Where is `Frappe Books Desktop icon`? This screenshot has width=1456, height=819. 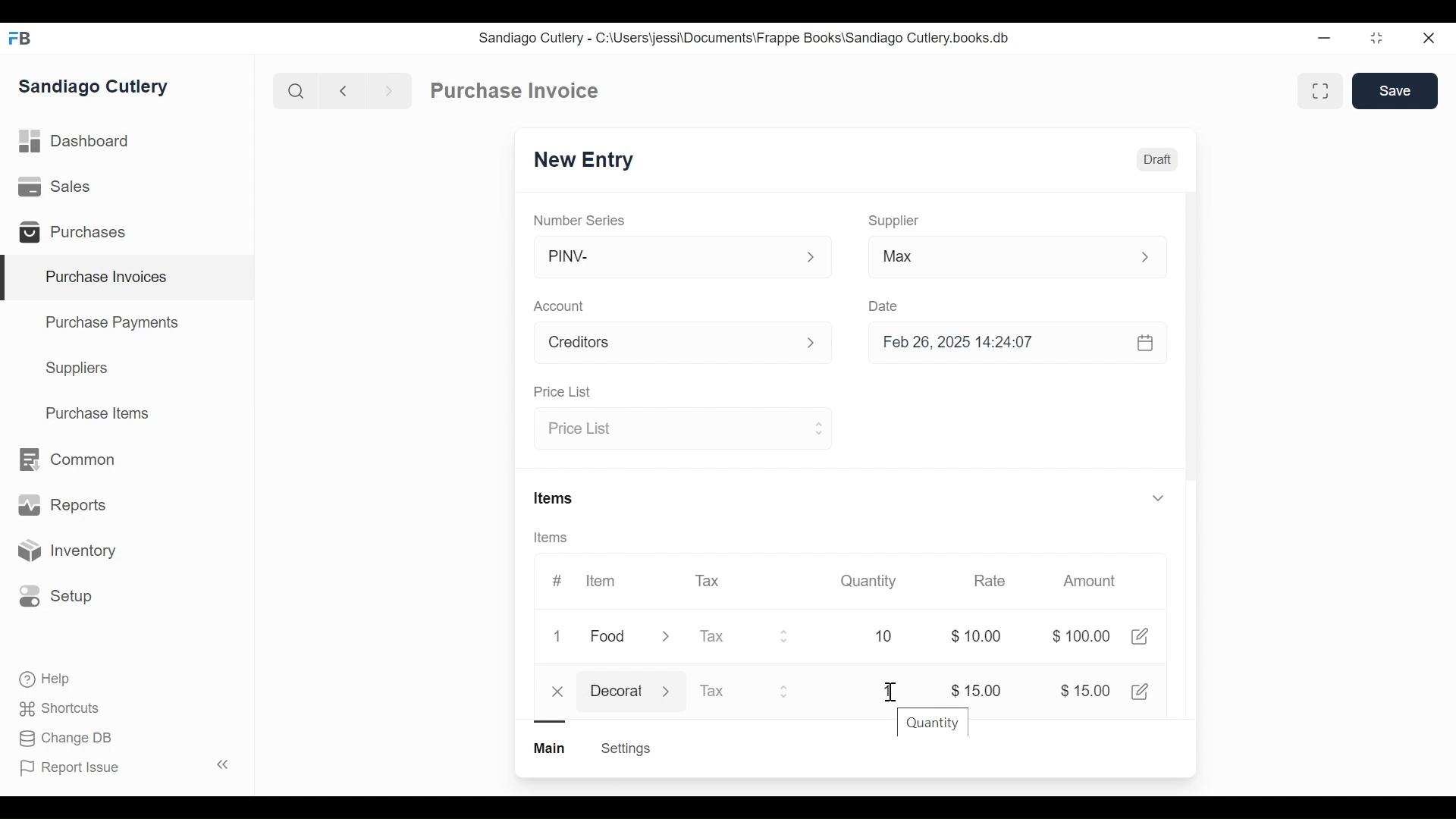
Frappe Books Desktop icon is located at coordinates (25, 39).